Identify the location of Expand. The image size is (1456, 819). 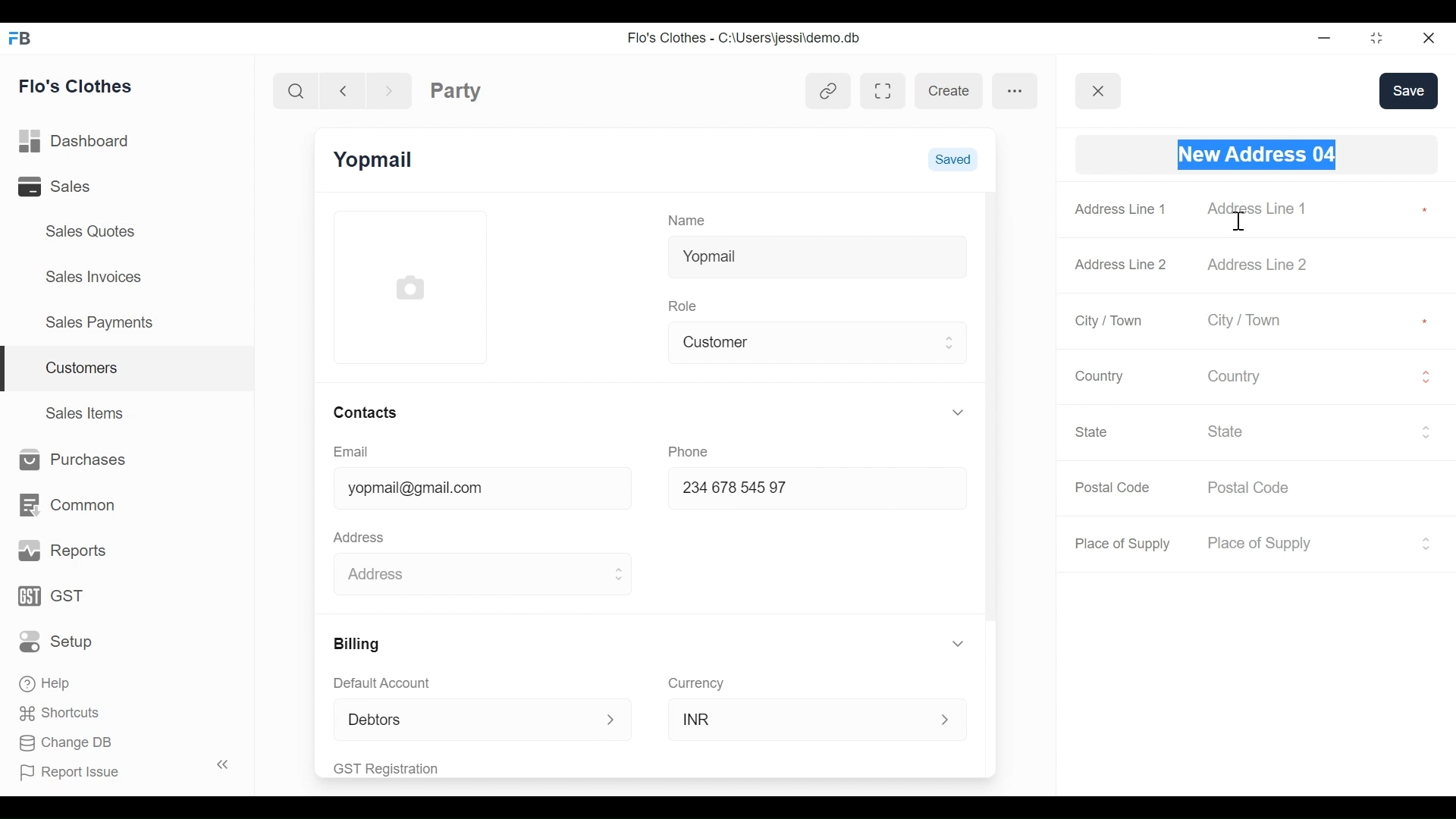
(612, 720).